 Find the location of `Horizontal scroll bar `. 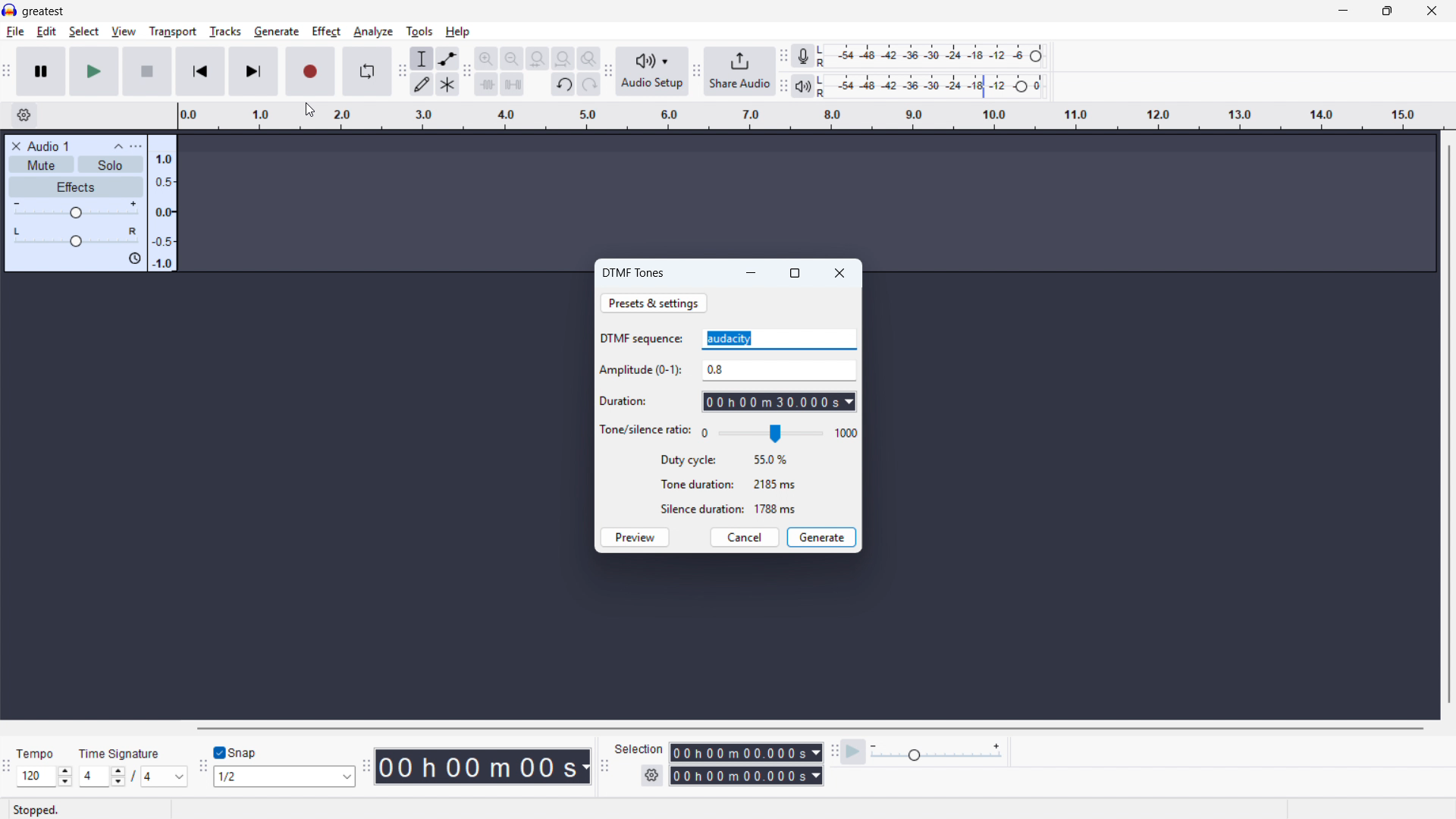

Horizontal scroll bar  is located at coordinates (811, 728).